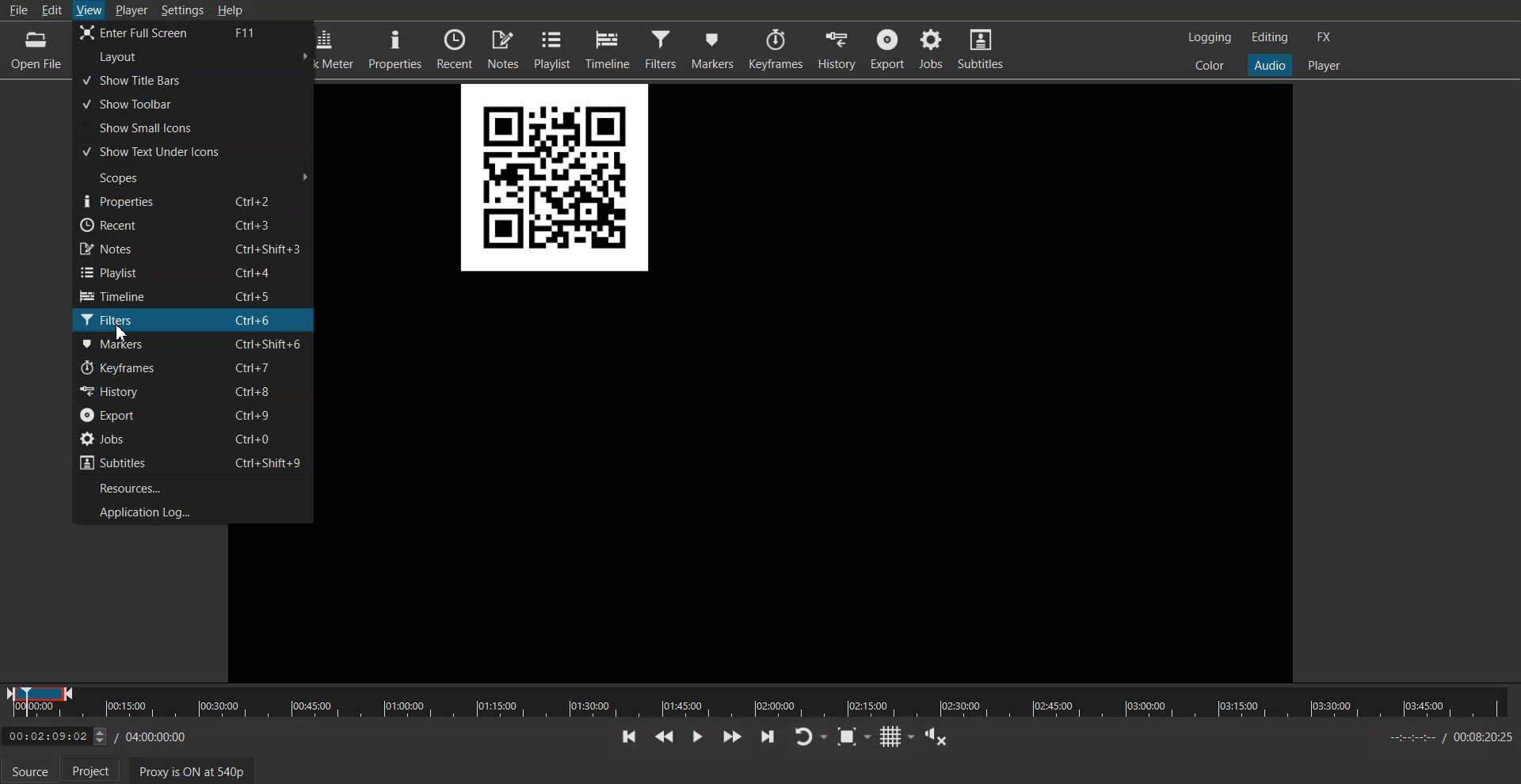 The width and height of the screenshot is (1521, 784). What do you see at coordinates (1210, 66) in the screenshot?
I see `Switch to the color layout` at bounding box center [1210, 66].